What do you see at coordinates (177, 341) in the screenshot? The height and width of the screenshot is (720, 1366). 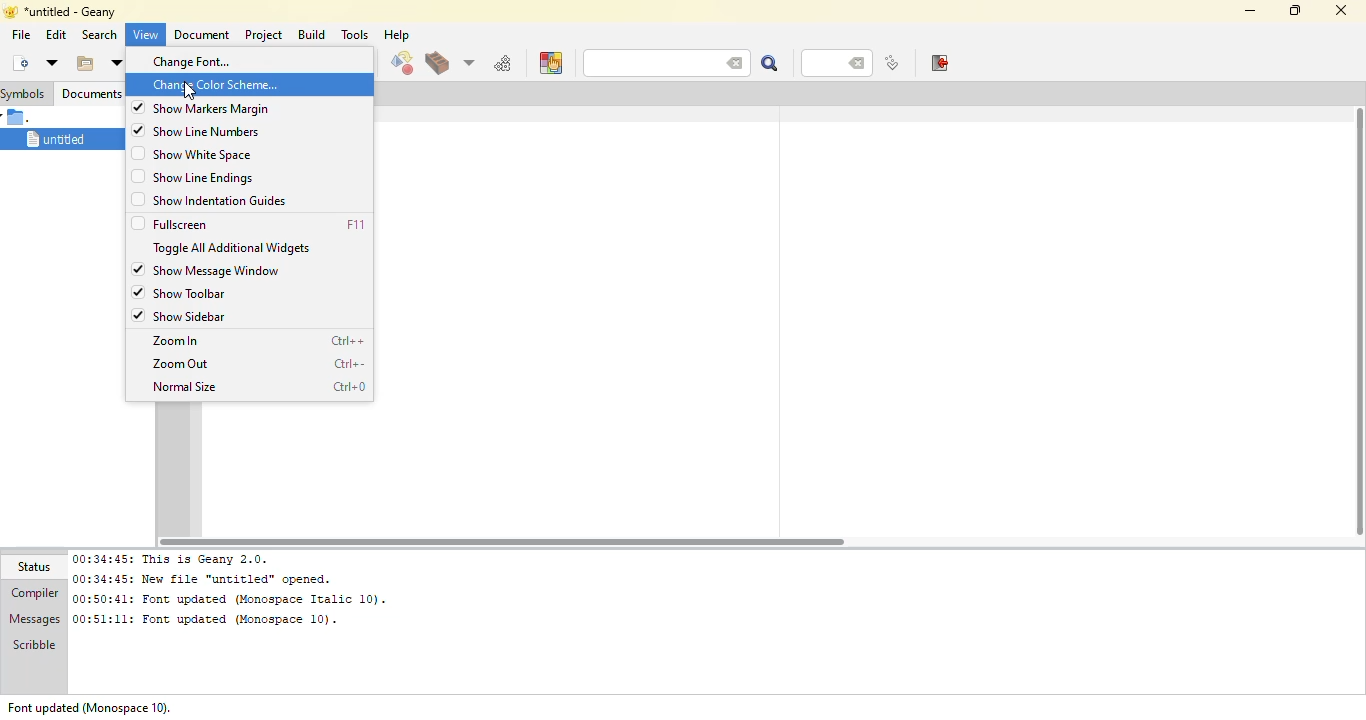 I see `zoom in` at bounding box center [177, 341].